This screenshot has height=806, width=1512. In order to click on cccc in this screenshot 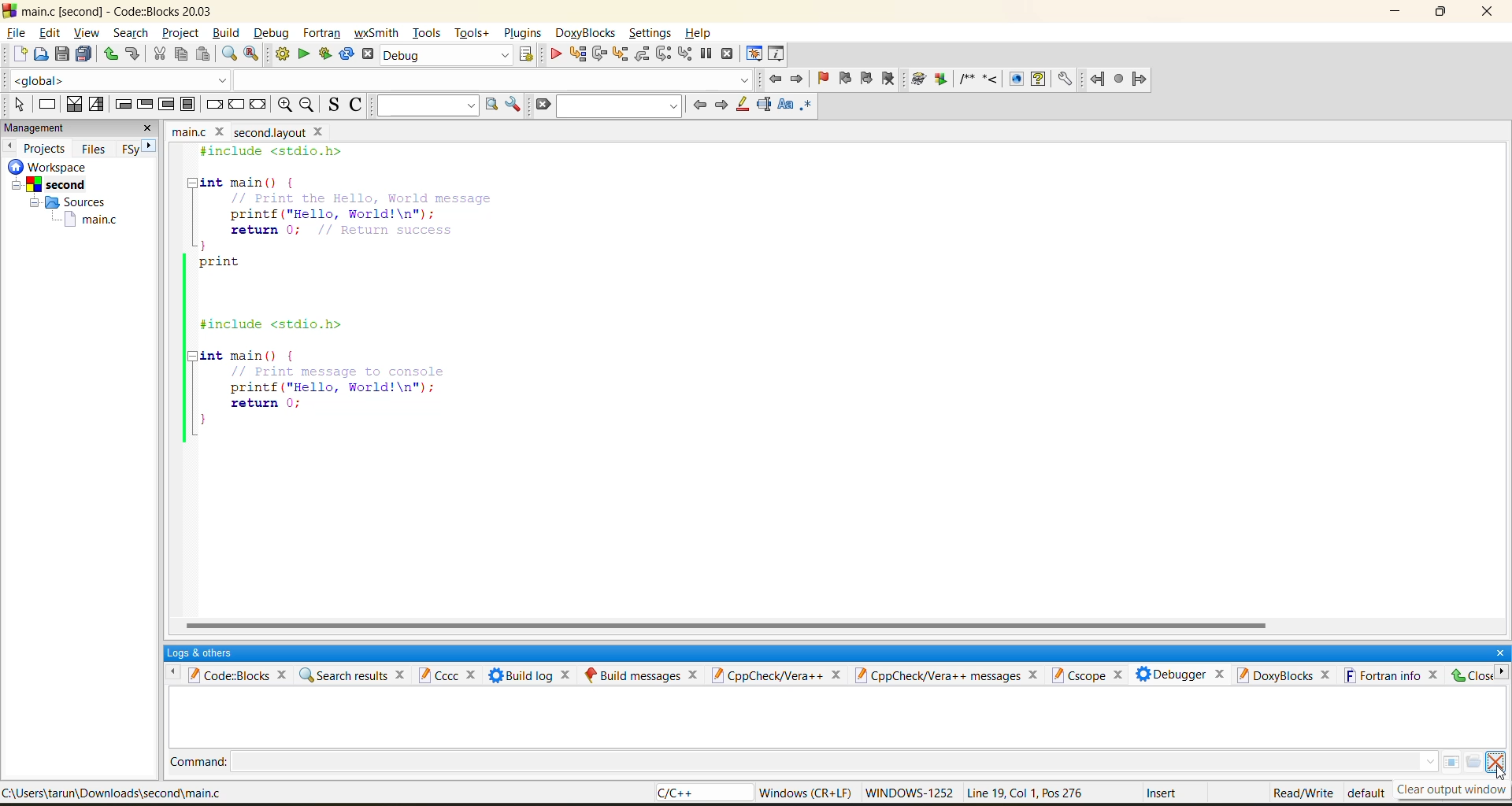, I will do `click(447, 674)`.